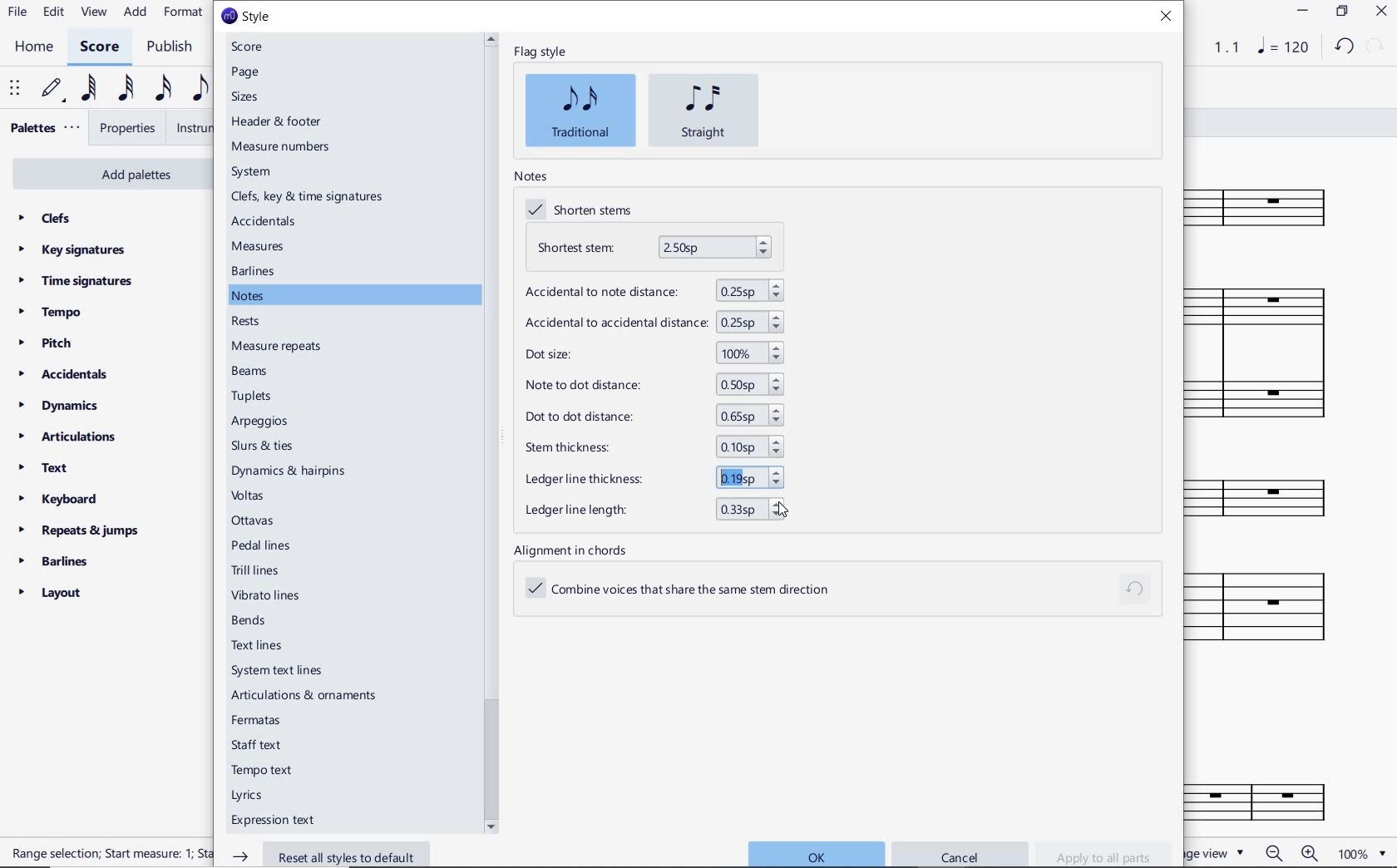 The width and height of the screenshot is (1397, 868). What do you see at coordinates (782, 514) in the screenshot?
I see `cursor` at bounding box center [782, 514].